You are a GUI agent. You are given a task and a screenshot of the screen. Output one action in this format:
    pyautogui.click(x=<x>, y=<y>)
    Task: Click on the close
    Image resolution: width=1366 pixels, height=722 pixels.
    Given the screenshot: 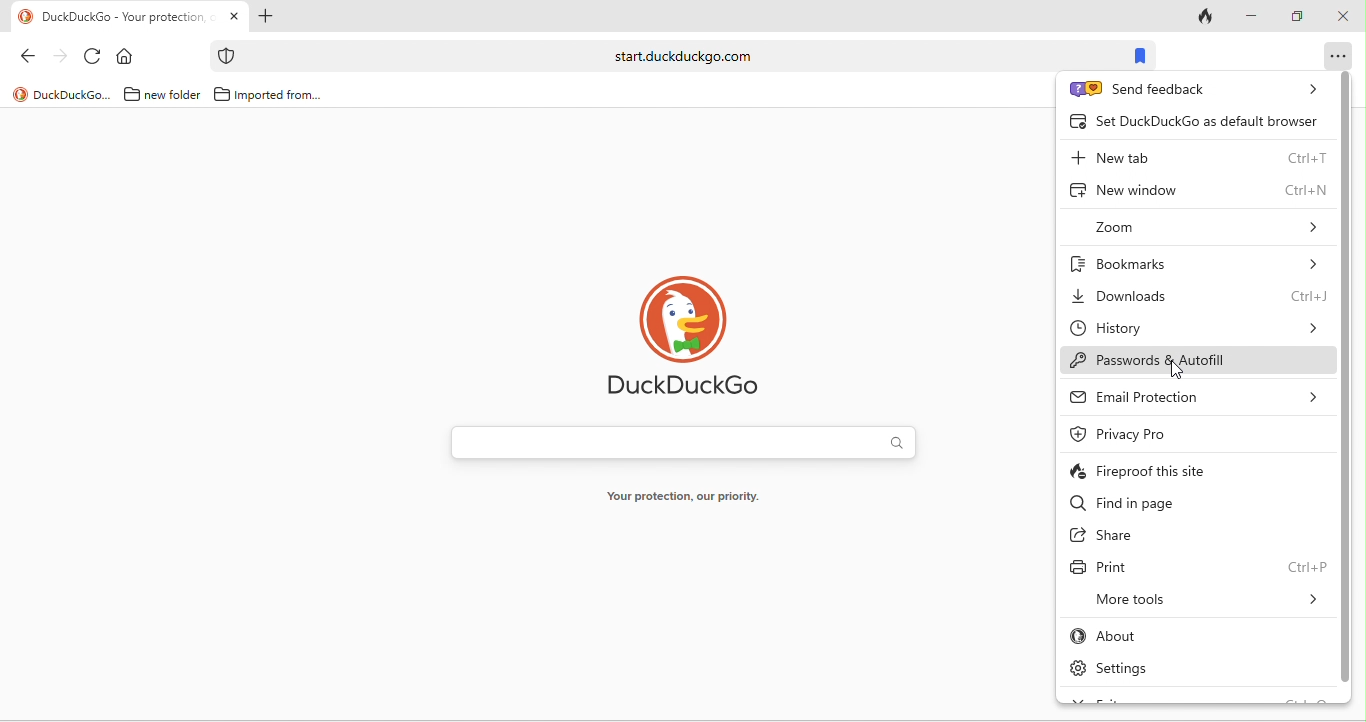 What is the action you would take?
    pyautogui.click(x=1343, y=18)
    